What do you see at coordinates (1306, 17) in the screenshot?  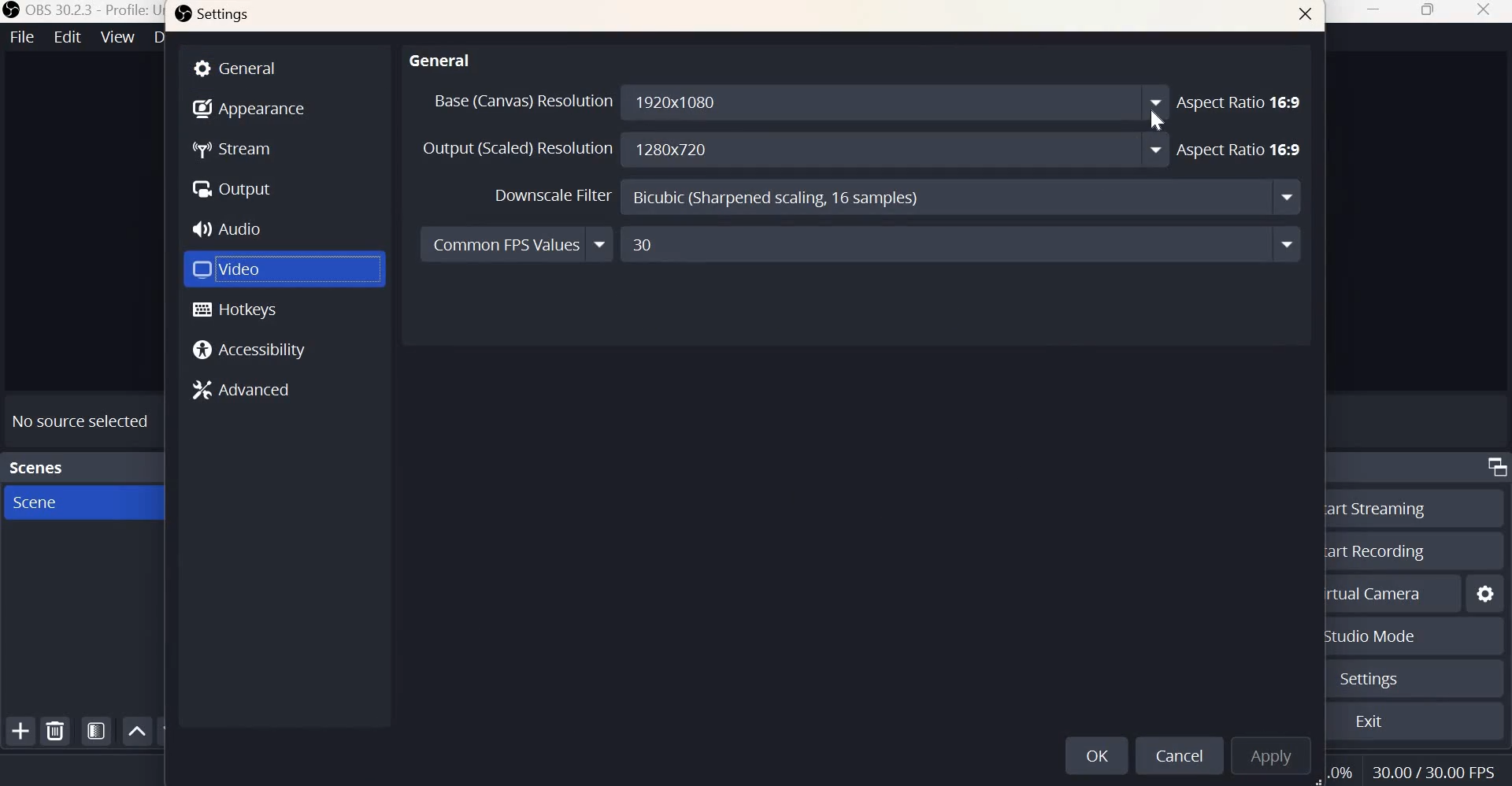 I see `close` at bounding box center [1306, 17].